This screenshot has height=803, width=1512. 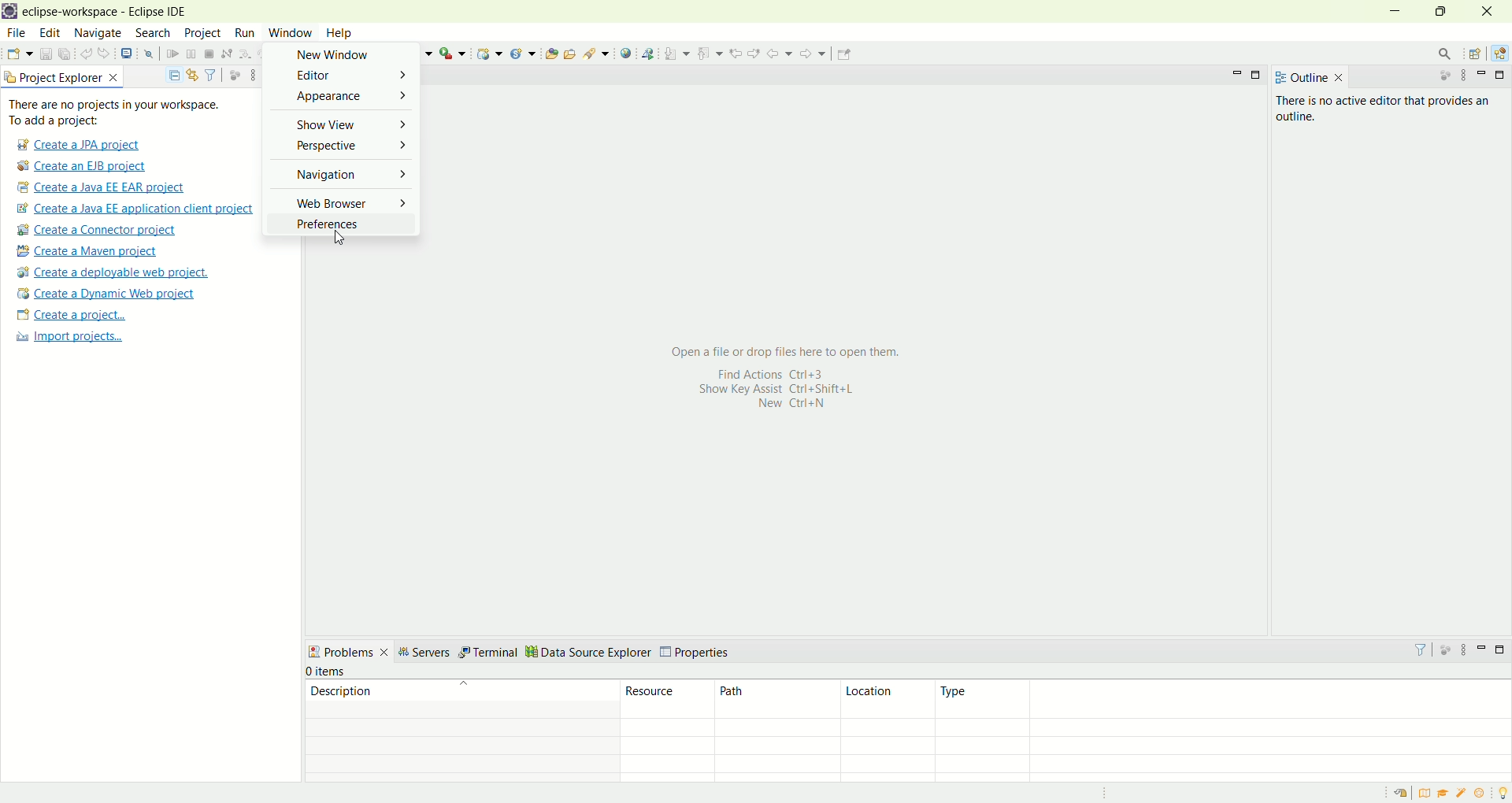 I want to click on edit, so click(x=48, y=34).